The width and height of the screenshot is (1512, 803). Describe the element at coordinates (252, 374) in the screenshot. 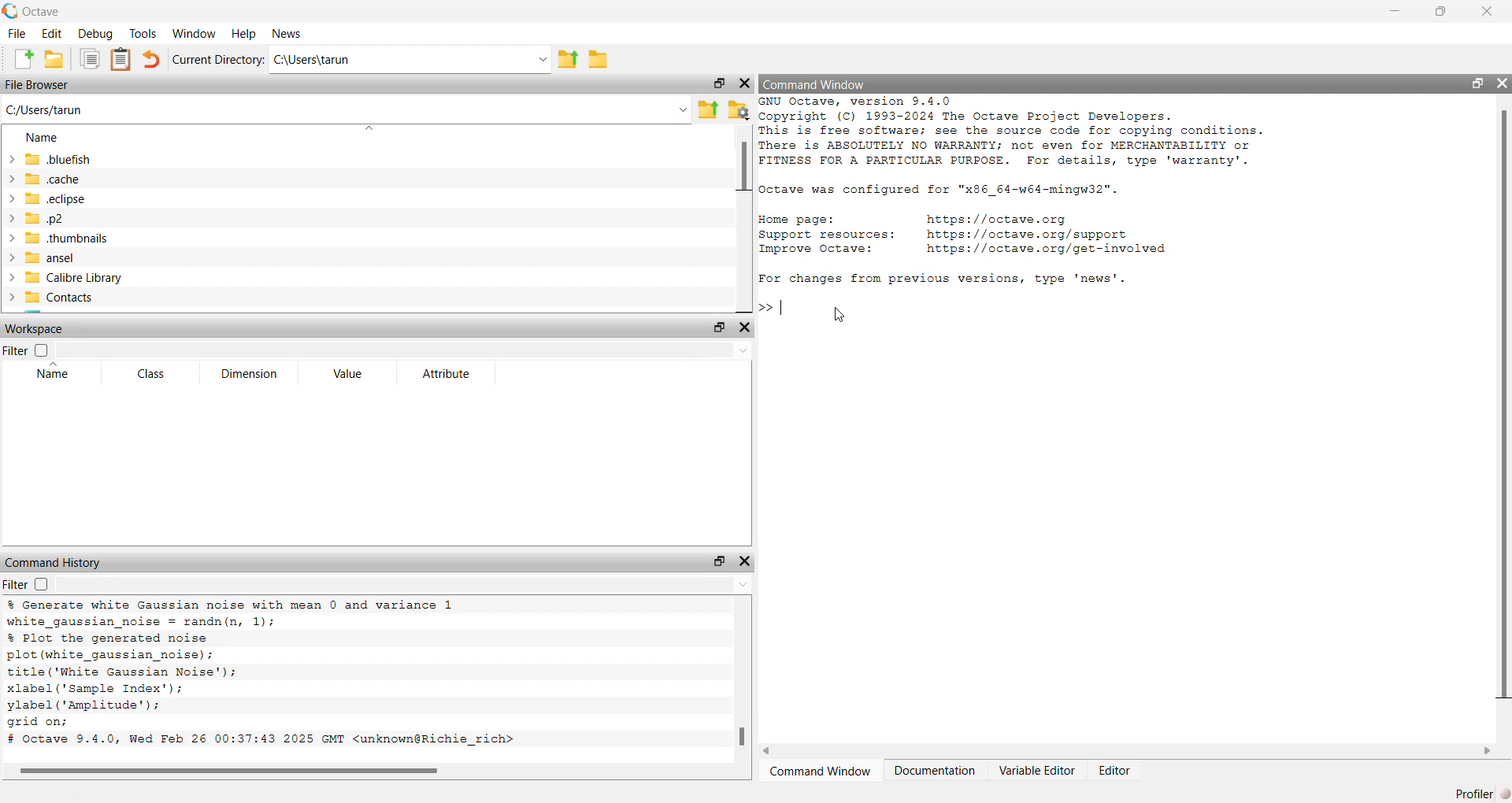

I see `Dimension` at that location.